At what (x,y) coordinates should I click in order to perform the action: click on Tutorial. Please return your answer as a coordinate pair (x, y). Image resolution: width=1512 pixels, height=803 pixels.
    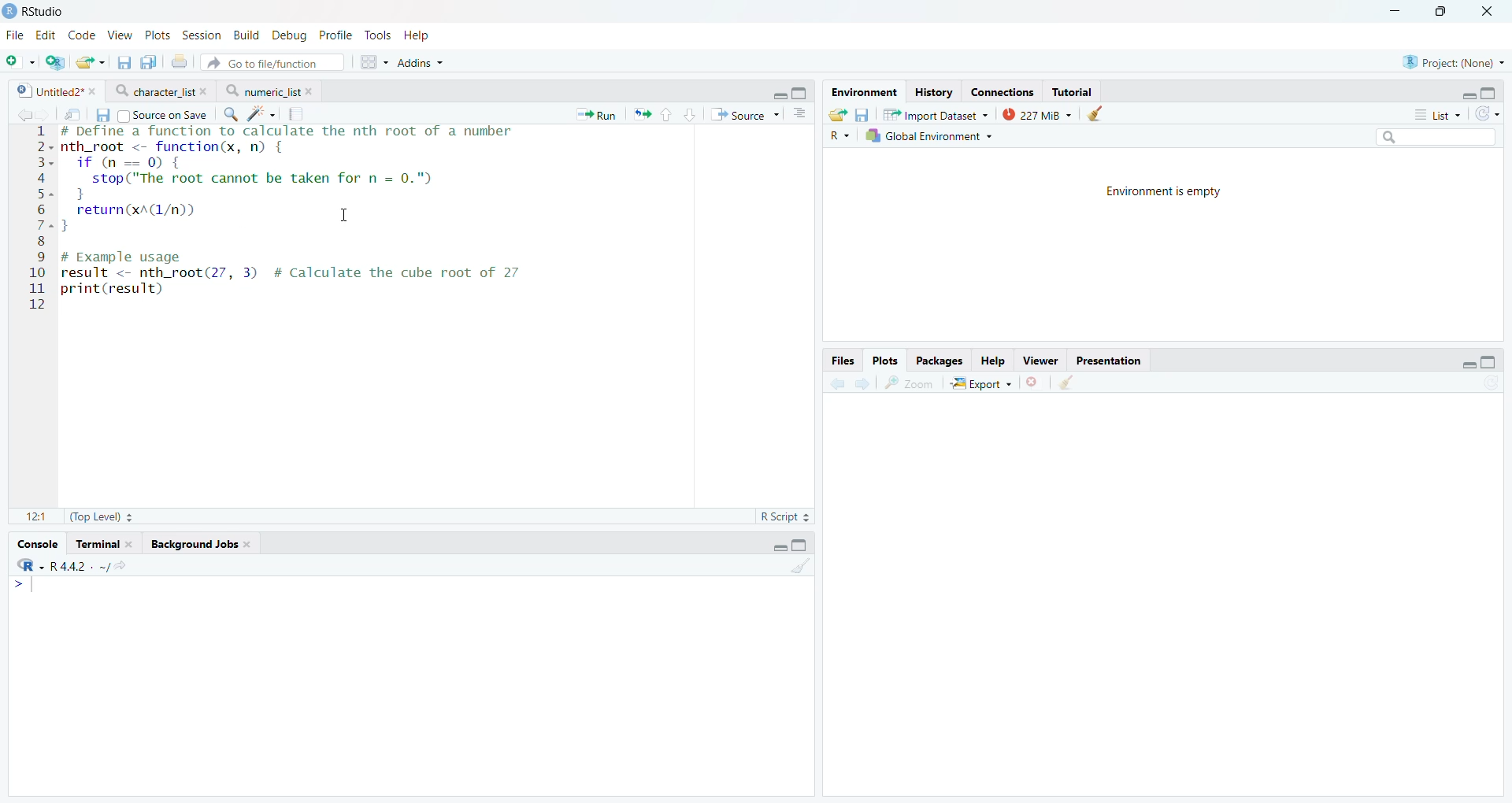
    Looking at the image, I should click on (1072, 91).